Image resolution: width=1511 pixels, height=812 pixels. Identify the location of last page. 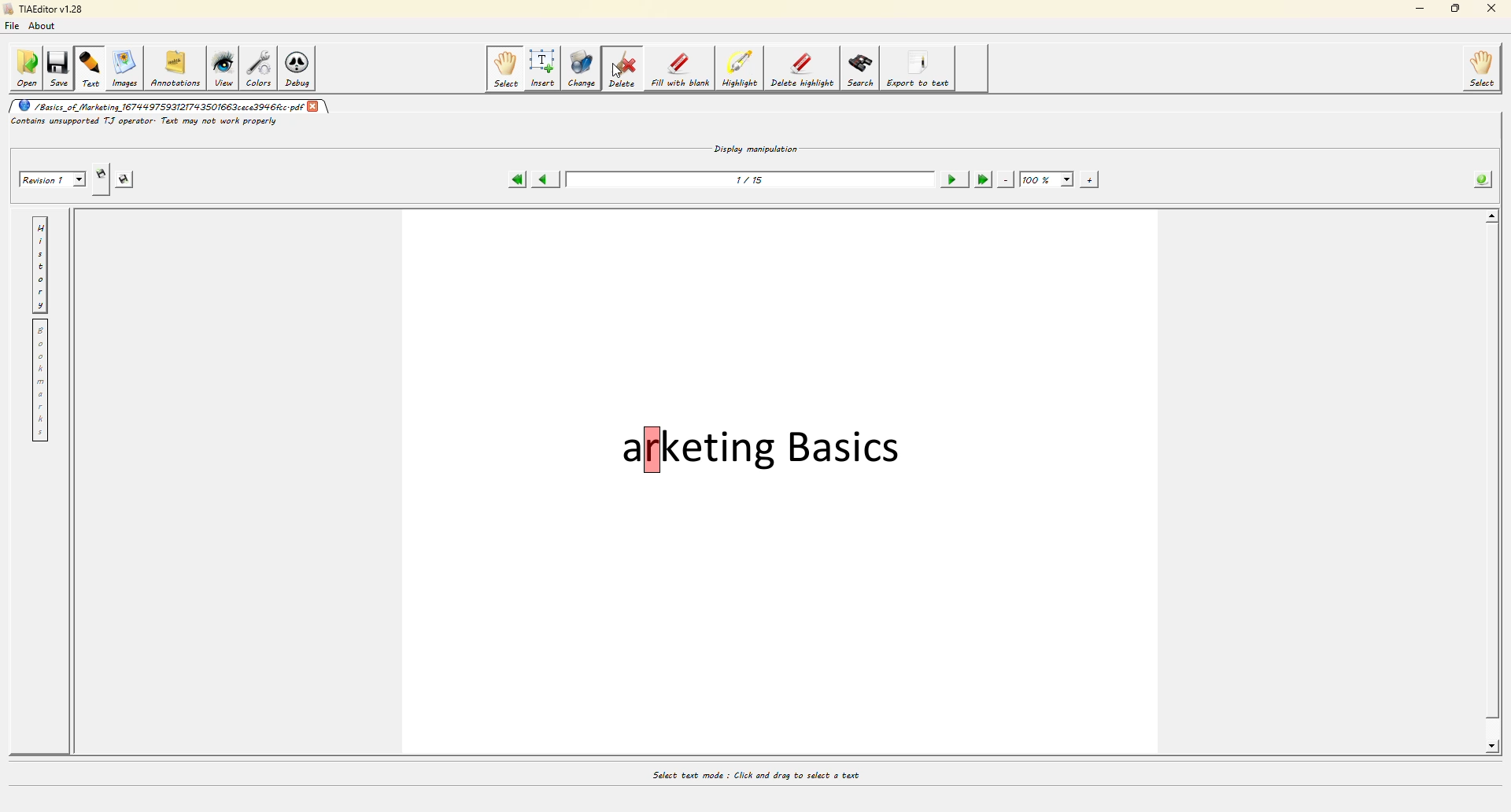
(982, 177).